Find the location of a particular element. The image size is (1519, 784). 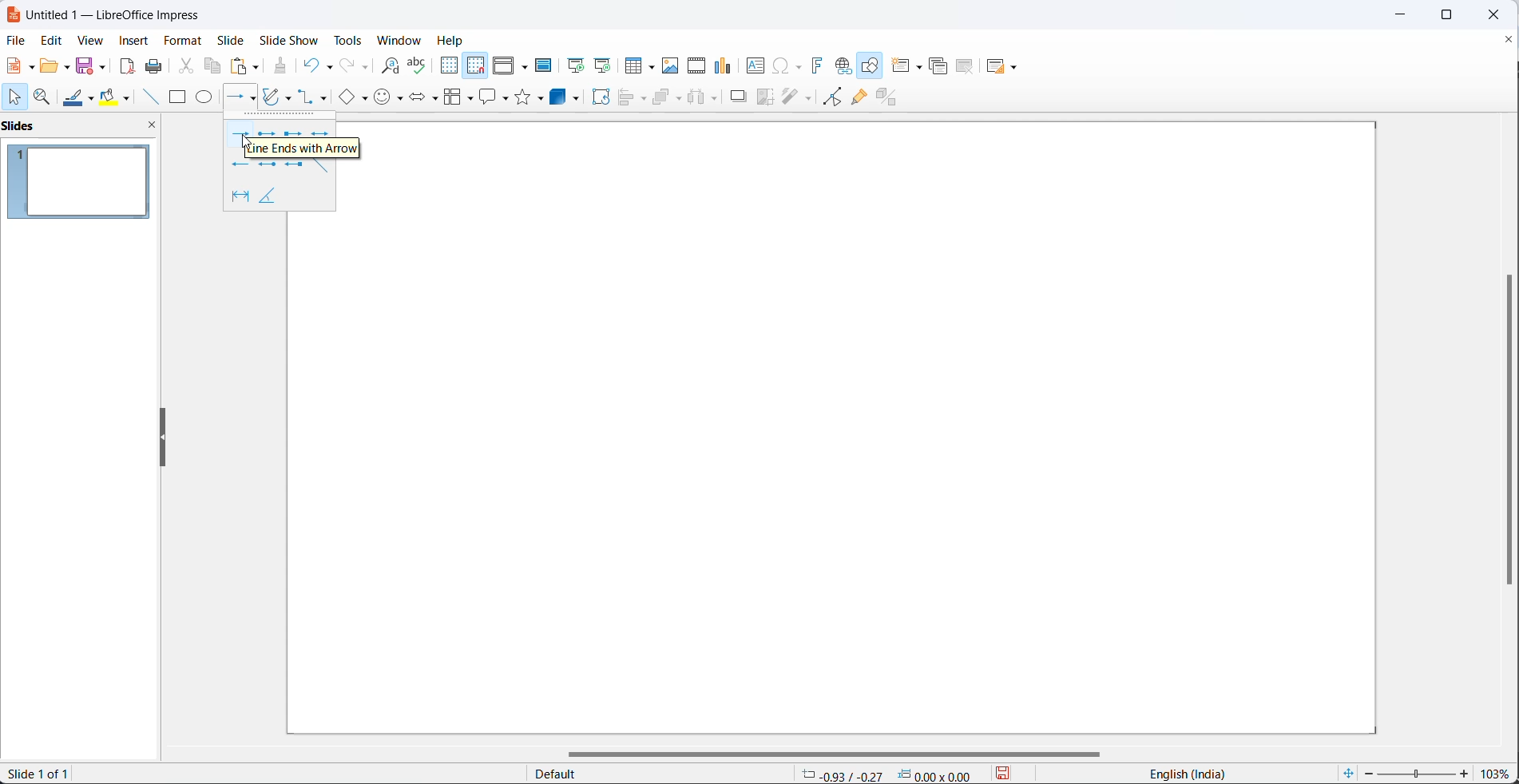

Help is located at coordinates (452, 41).